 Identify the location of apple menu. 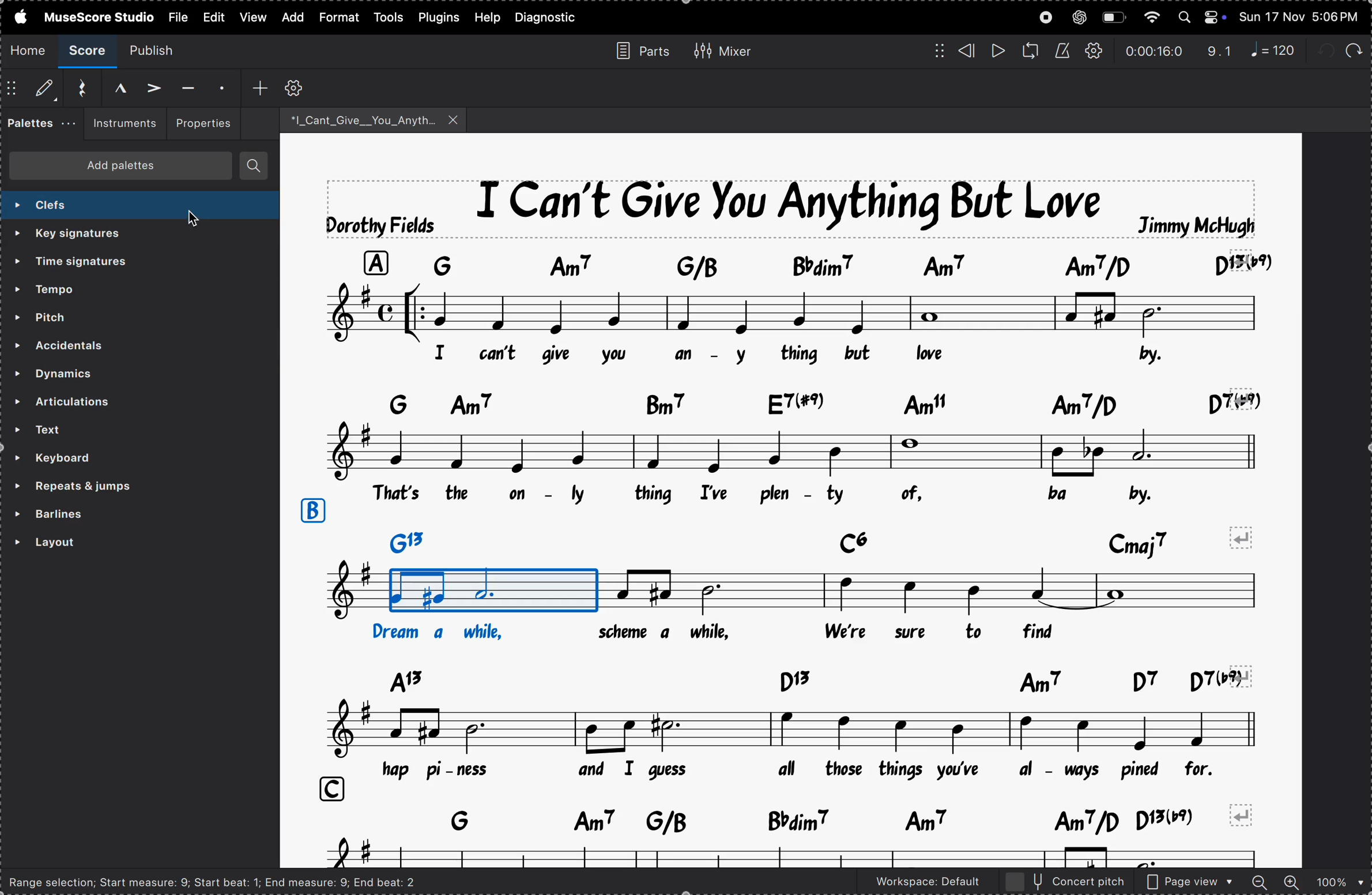
(17, 16).